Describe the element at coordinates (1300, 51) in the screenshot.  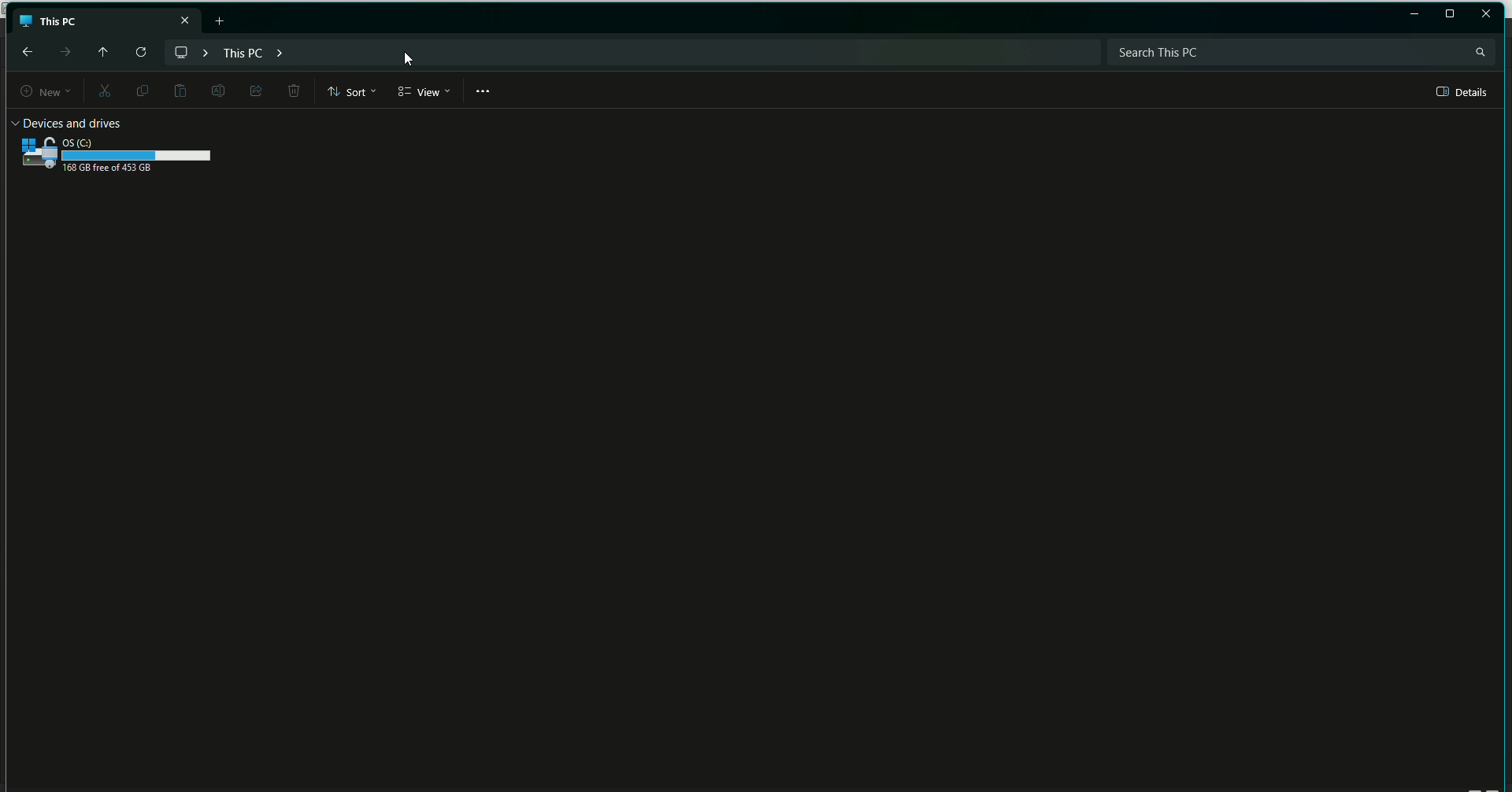
I see `Search bar` at that location.